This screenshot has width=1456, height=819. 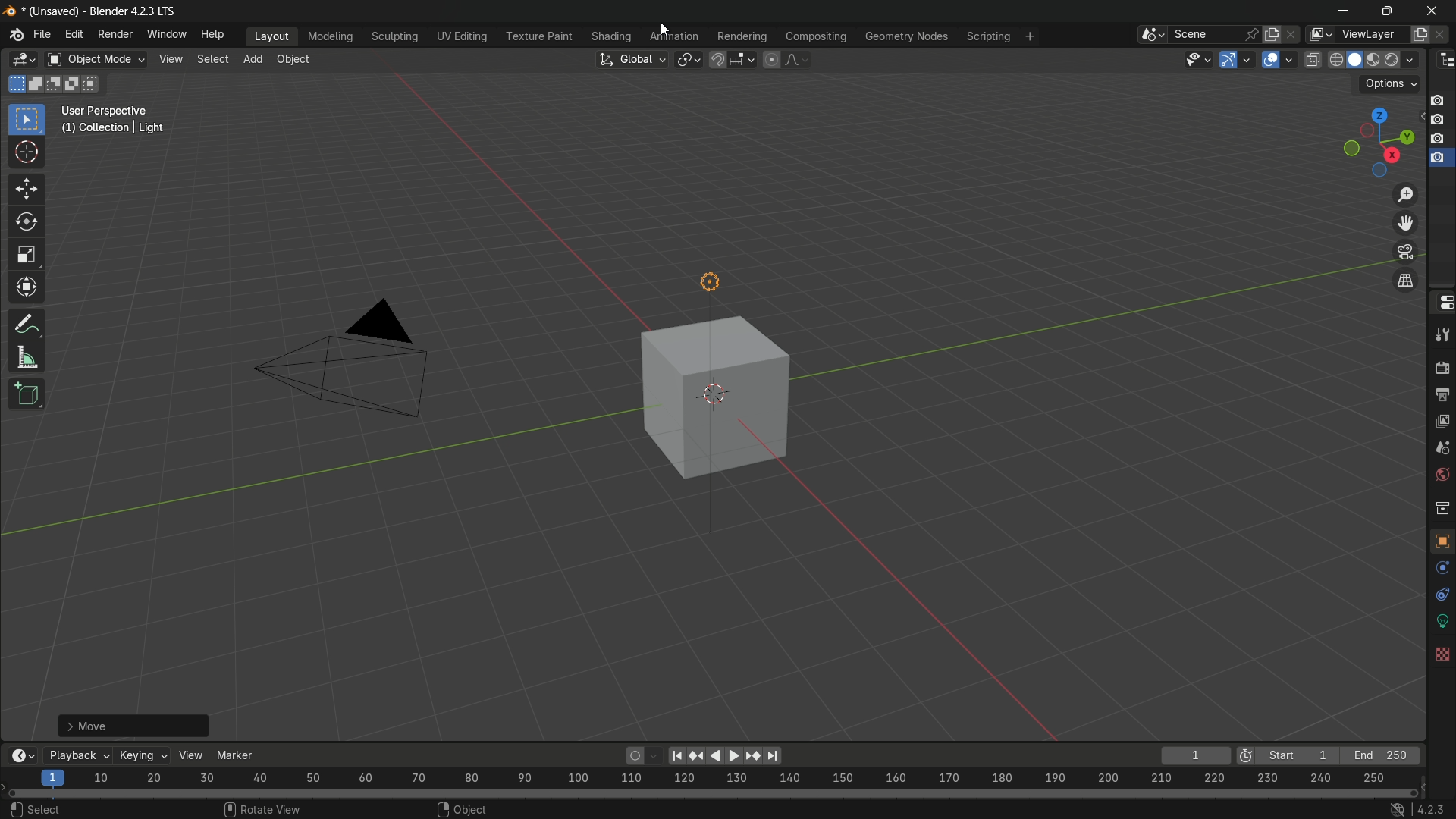 What do you see at coordinates (1442, 476) in the screenshot?
I see `world` at bounding box center [1442, 476].